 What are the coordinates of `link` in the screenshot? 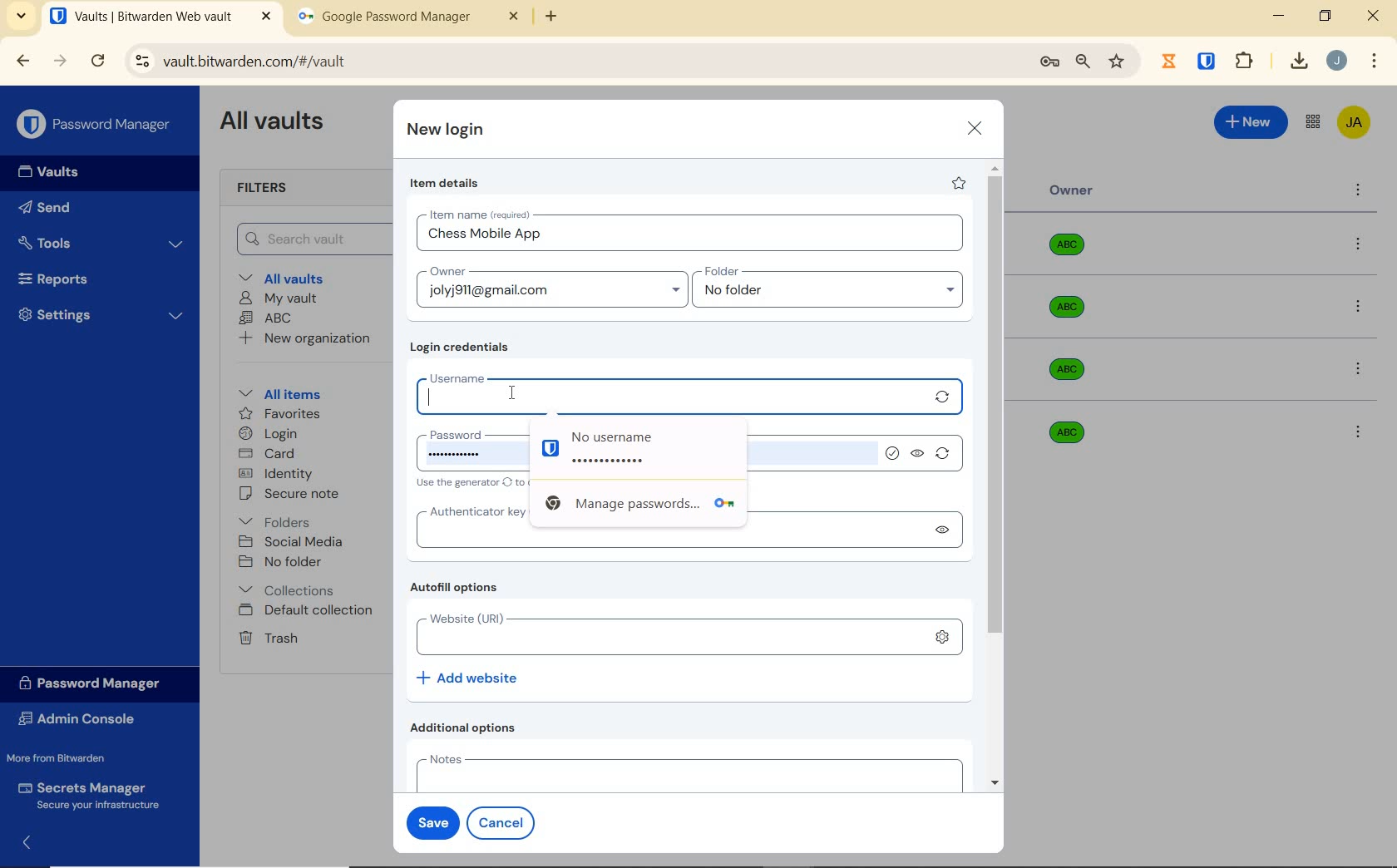 It's located at (942, 637).